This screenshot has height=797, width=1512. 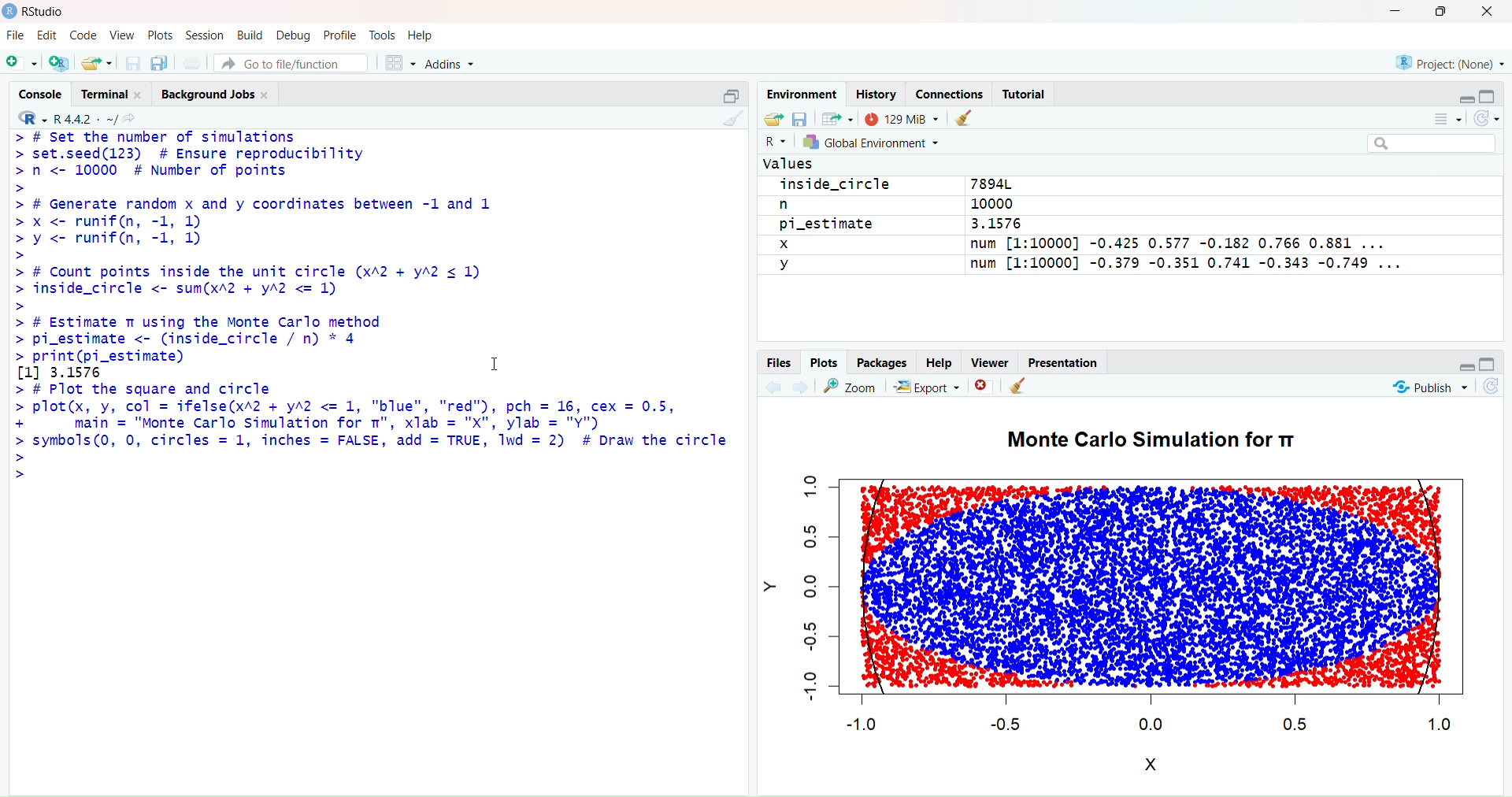 What do you see at coordinates (801, 118) in the screenshot?
I see `Save workspace as` at bounding box center [801, 118].